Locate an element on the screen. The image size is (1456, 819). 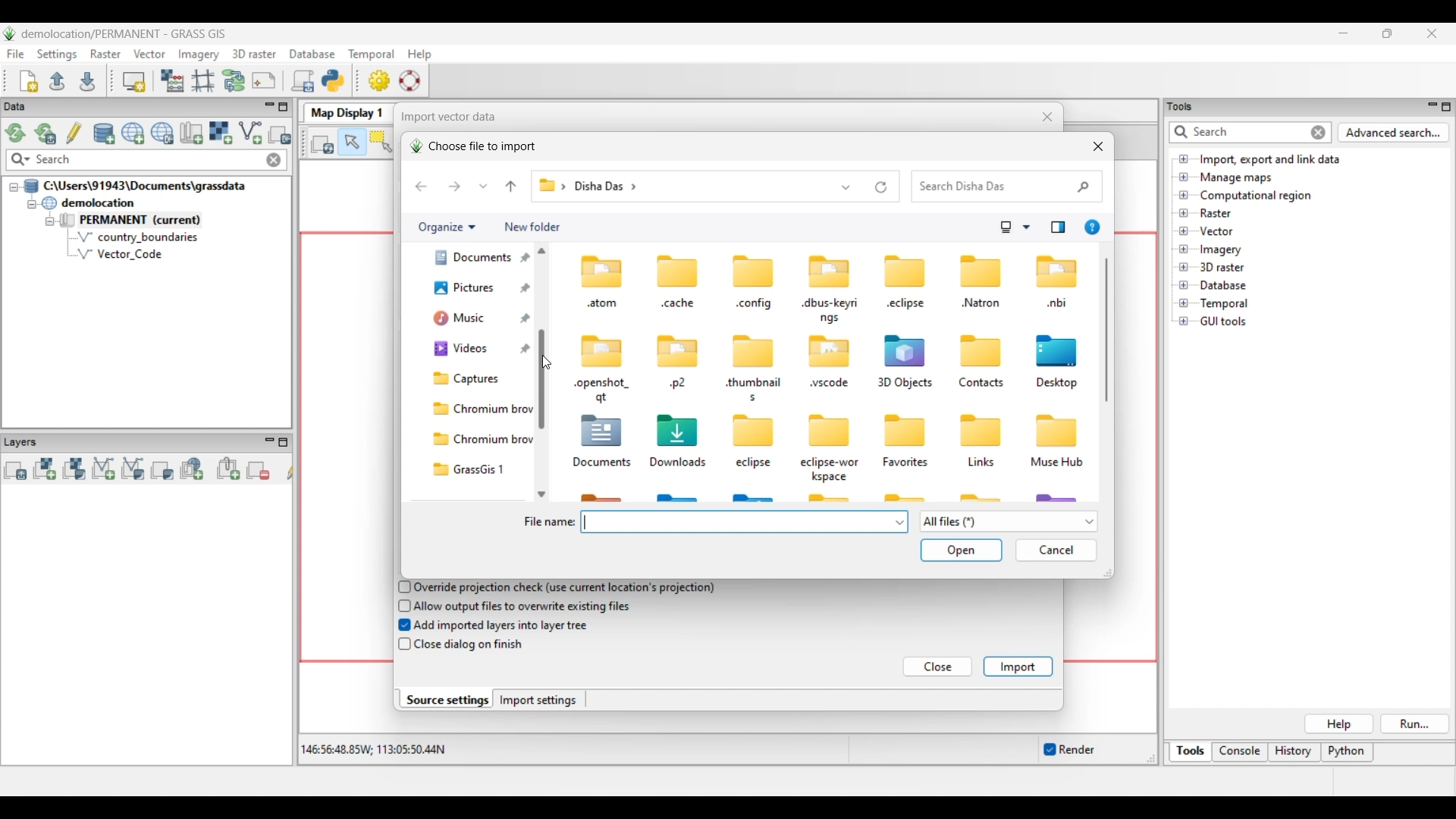
Project and software name is located at coordinates (124, 34).